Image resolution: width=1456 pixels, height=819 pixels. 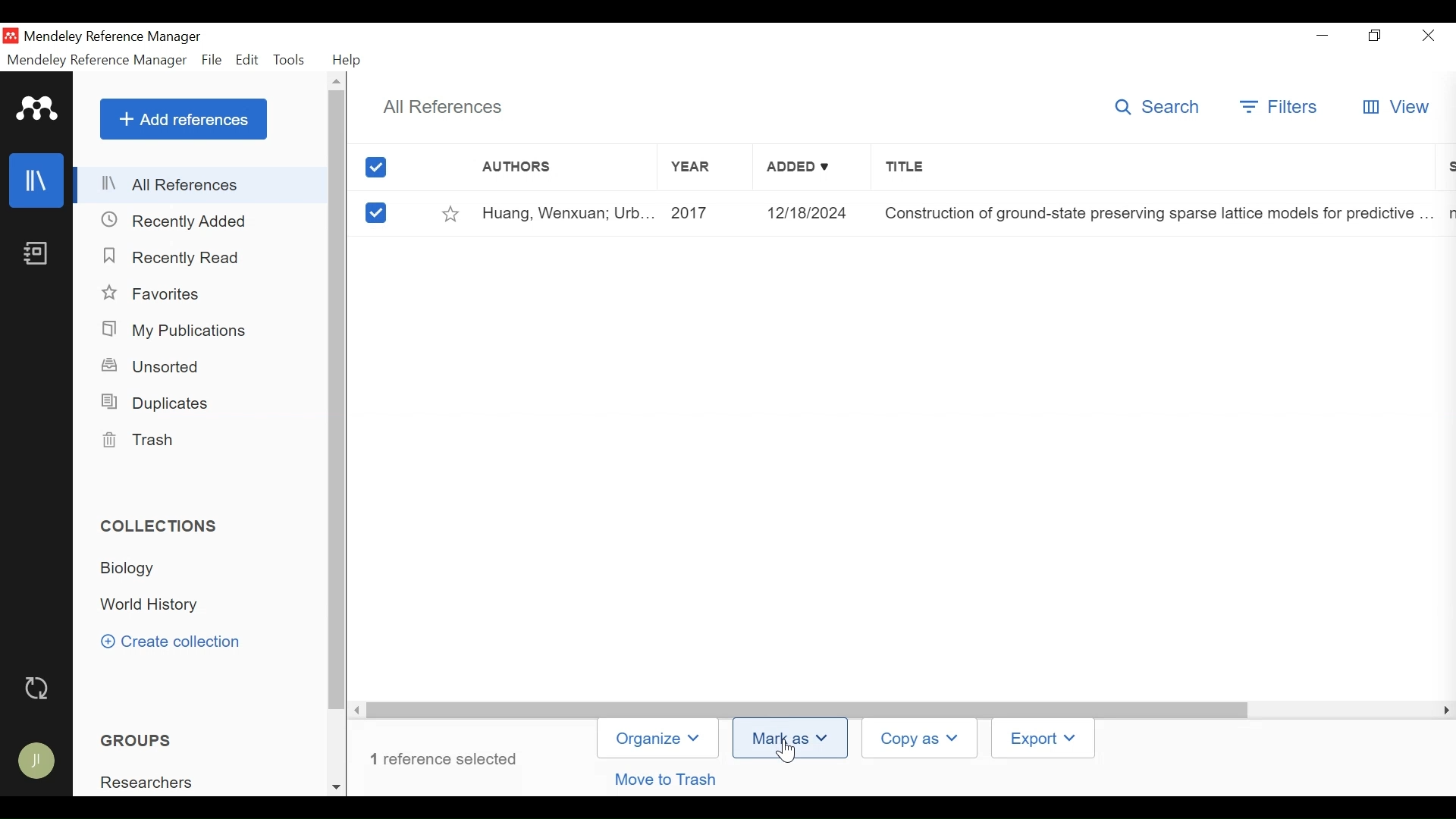 What do you see at coordinates (96, 61) in the screenshot?
I see `Mendeley Reference Manager` at bounding box center [96, 61].